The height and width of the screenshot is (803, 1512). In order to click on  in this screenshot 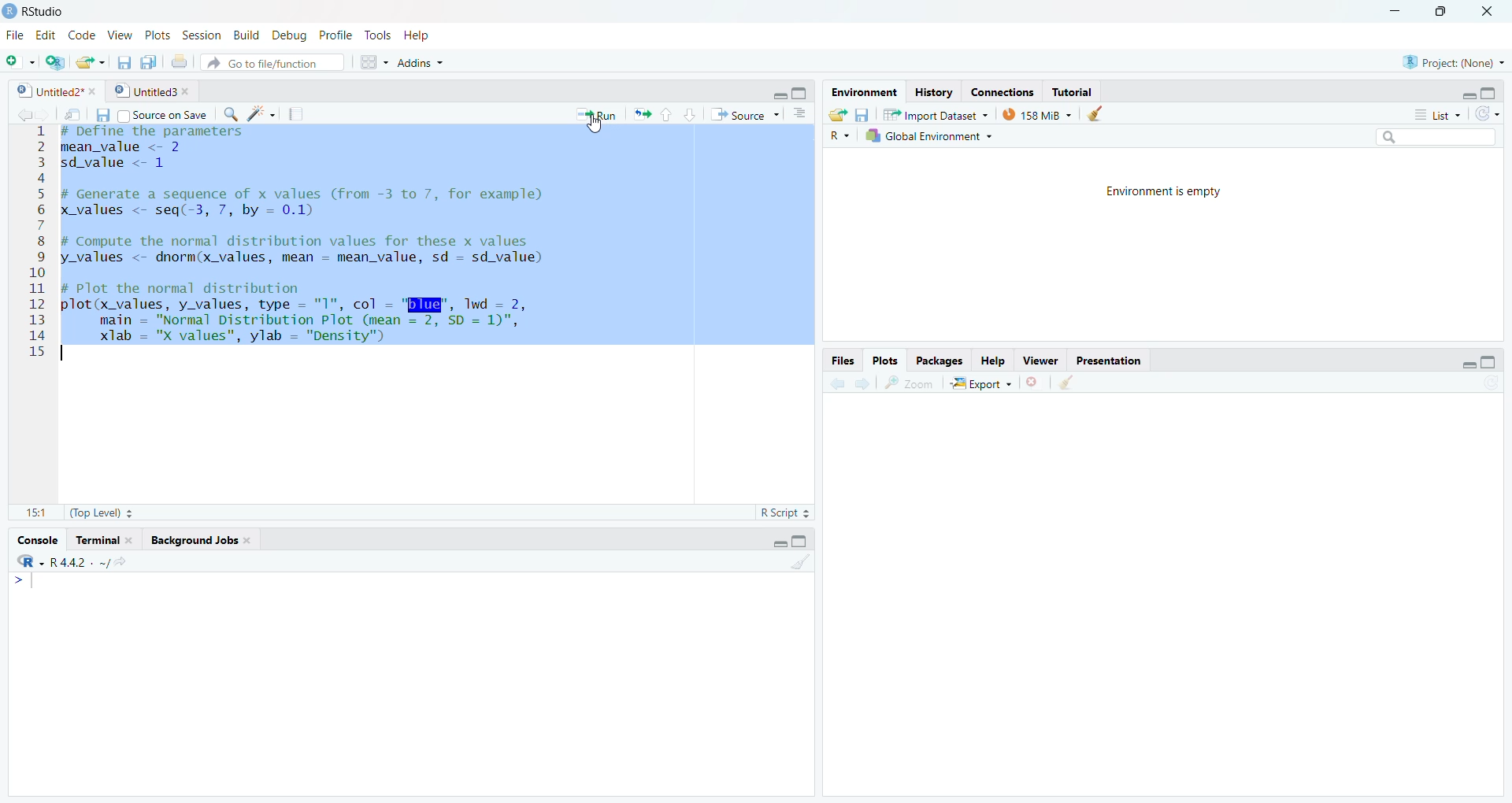, I will do `click(1096, 113)`.